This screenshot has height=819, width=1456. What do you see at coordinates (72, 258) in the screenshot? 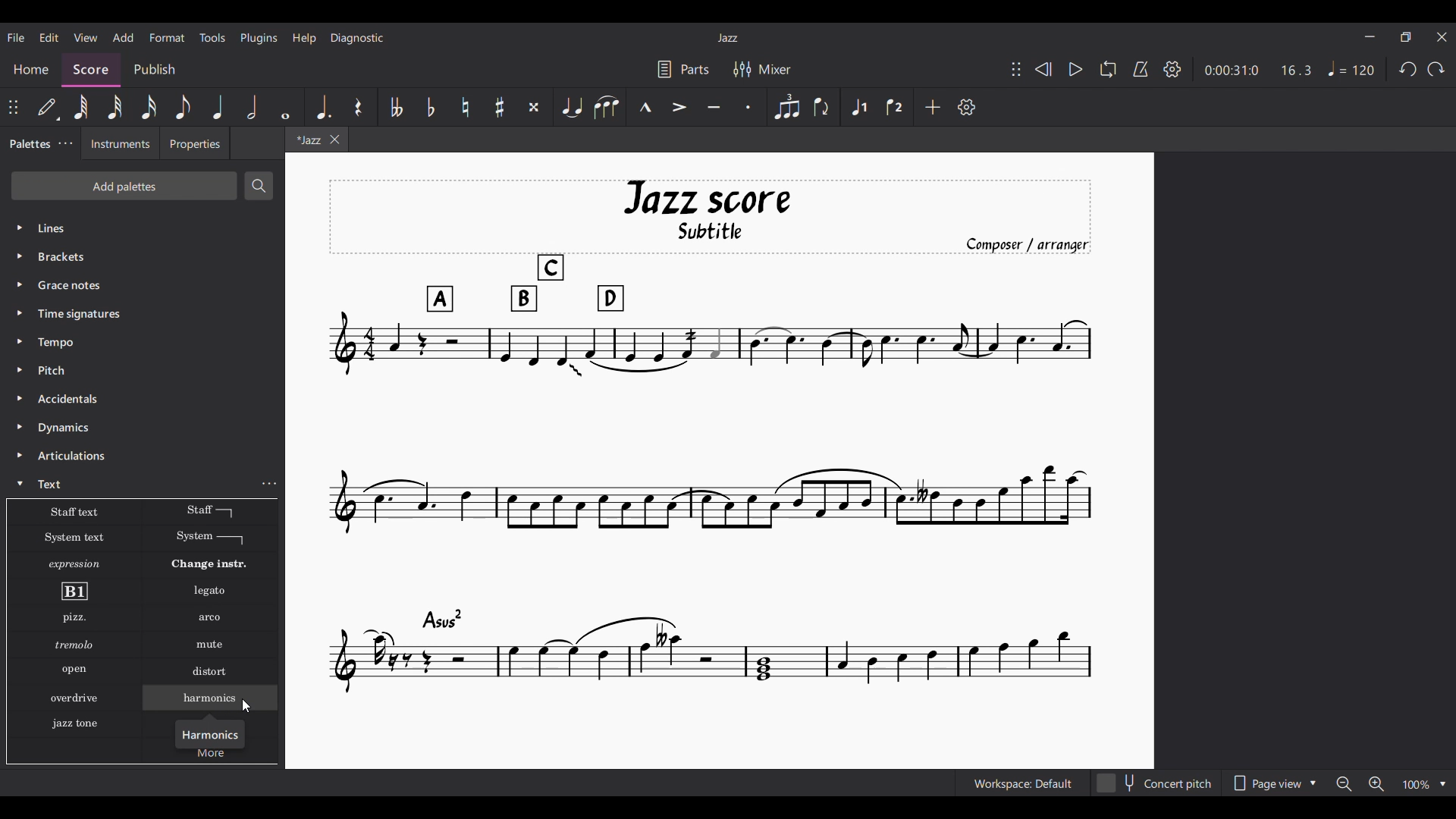
I see `Bracket` at bounding box center [72, 258].